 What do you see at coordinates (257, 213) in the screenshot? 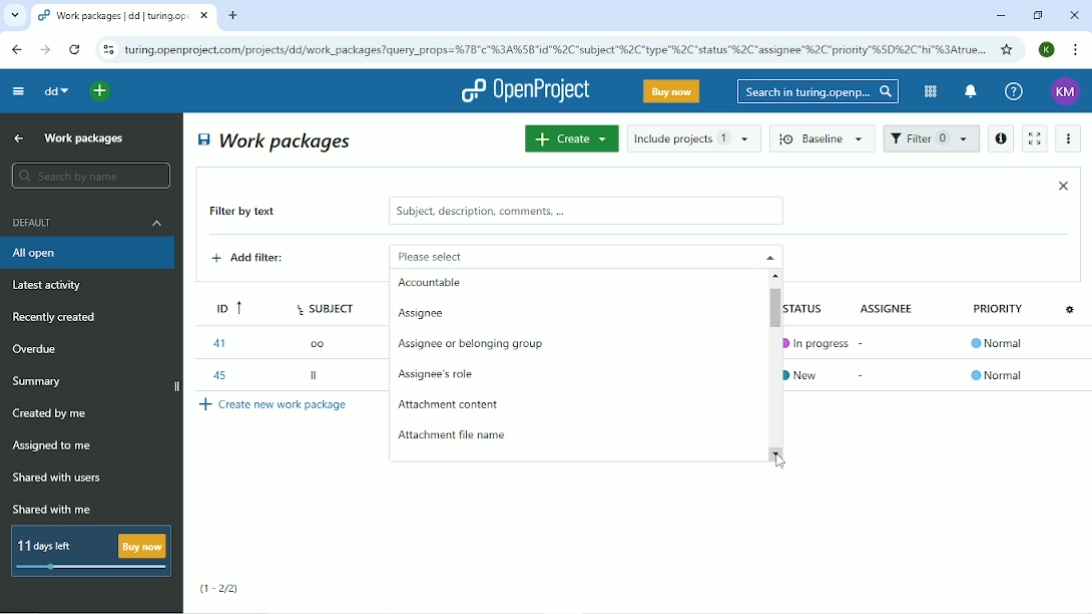
I see `Filter by text` at bounding box center [257, 213].